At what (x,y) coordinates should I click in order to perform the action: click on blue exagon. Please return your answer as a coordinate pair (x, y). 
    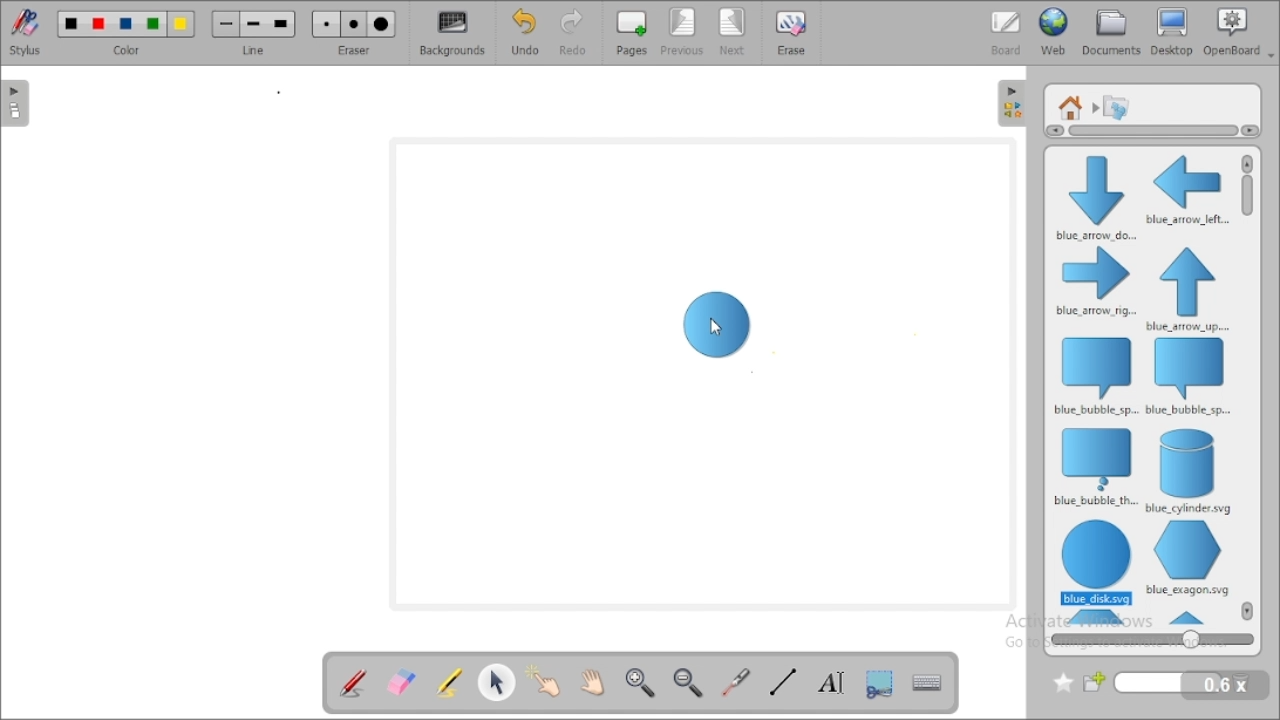
    Looking at the image, I should click on (1187, 558).